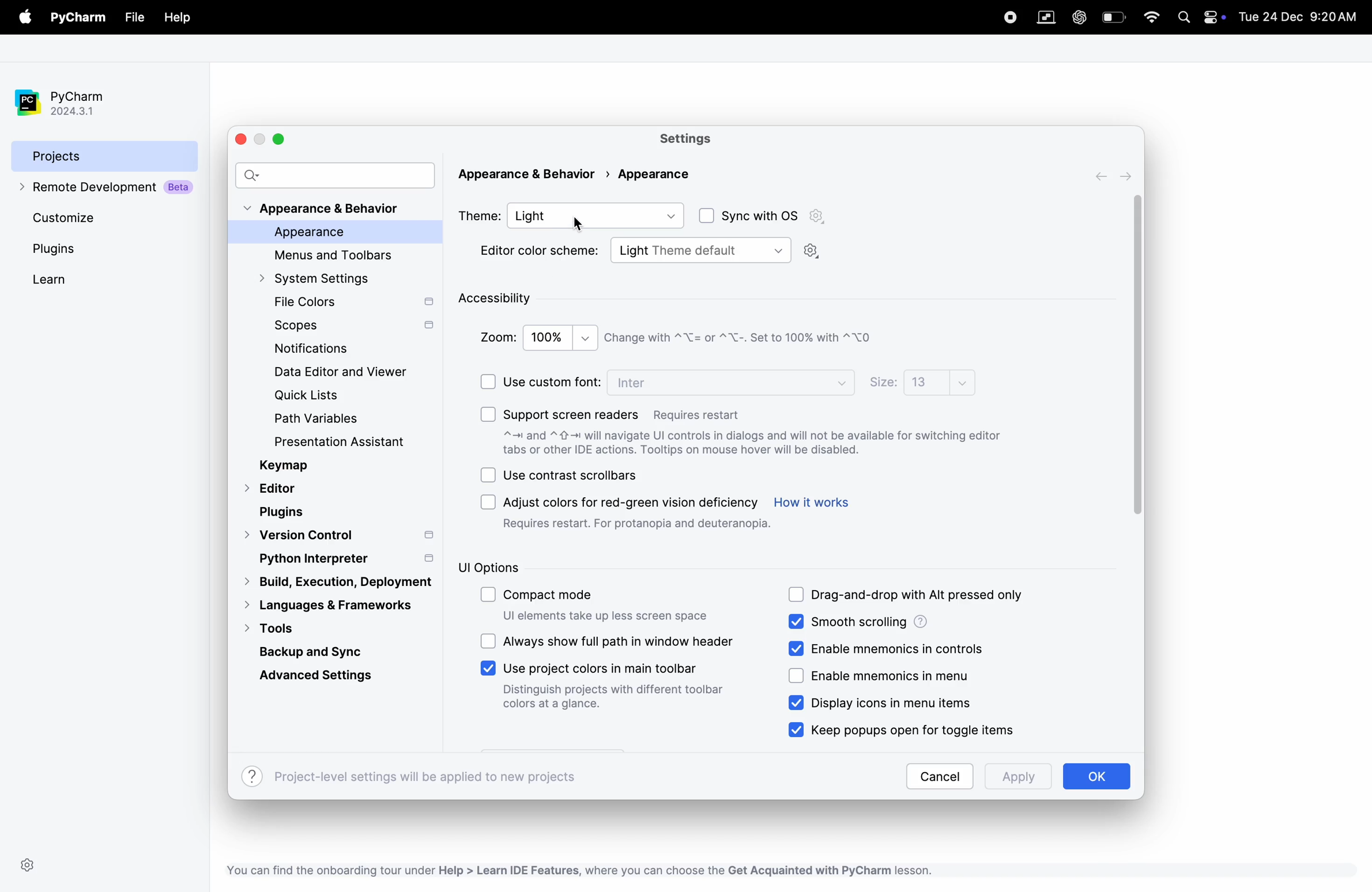  What do you see at coordinates (898, 647) in the screenshot?
I see `enable memonics` at bounding box center [898, 647].